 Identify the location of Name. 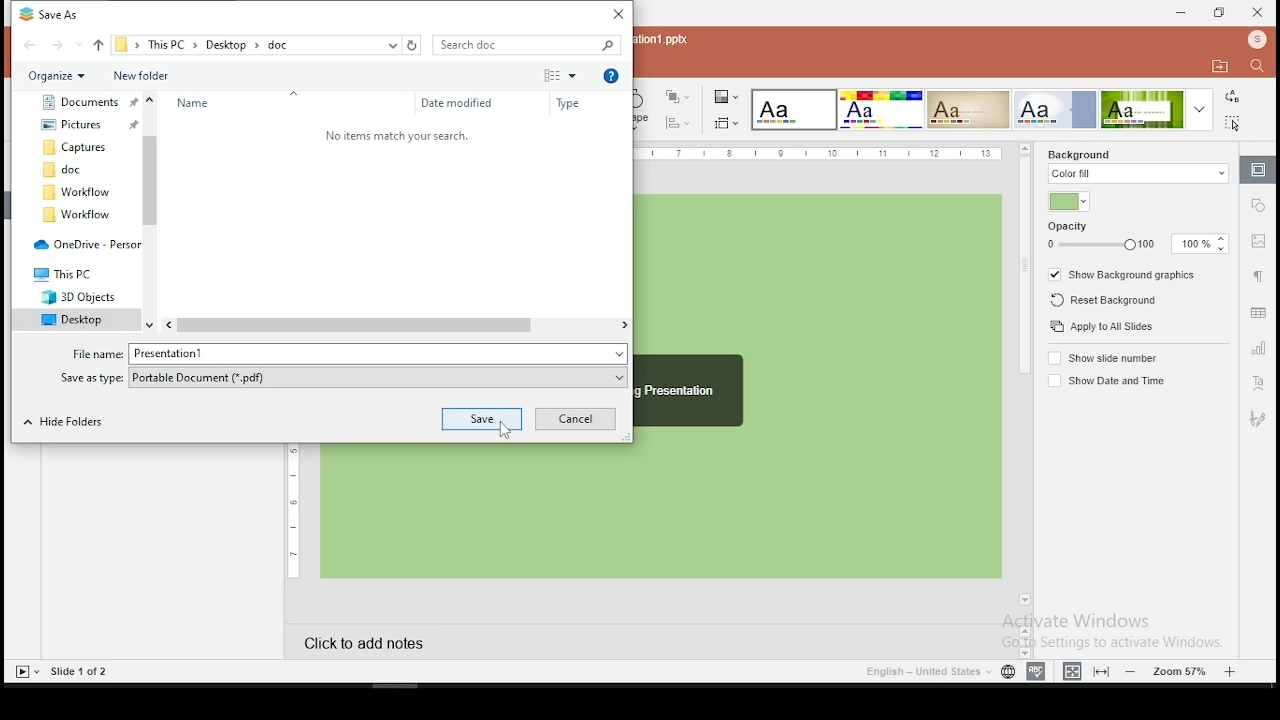
(202, 102).